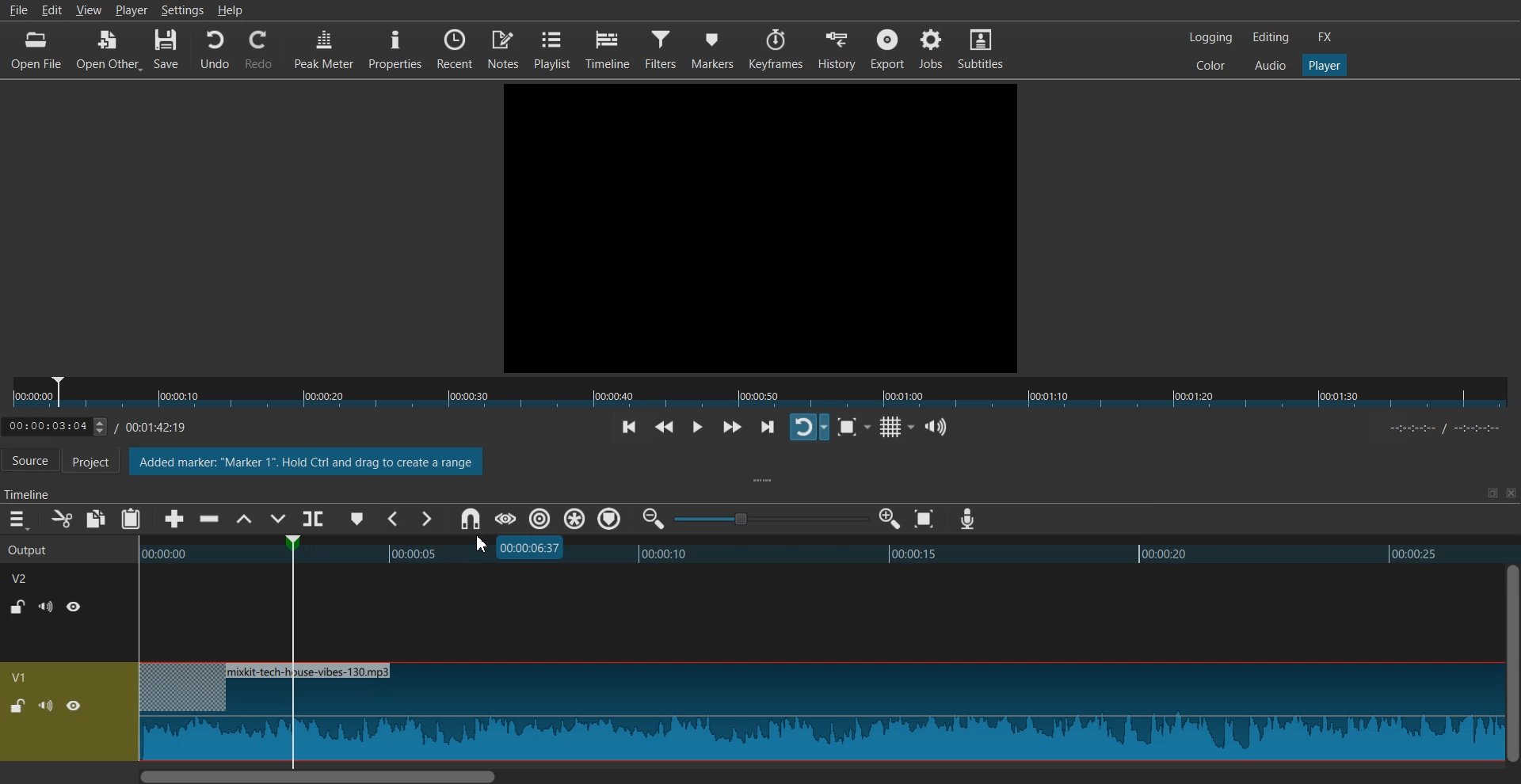  I want to click on Skip to next point, so click(769, 428).